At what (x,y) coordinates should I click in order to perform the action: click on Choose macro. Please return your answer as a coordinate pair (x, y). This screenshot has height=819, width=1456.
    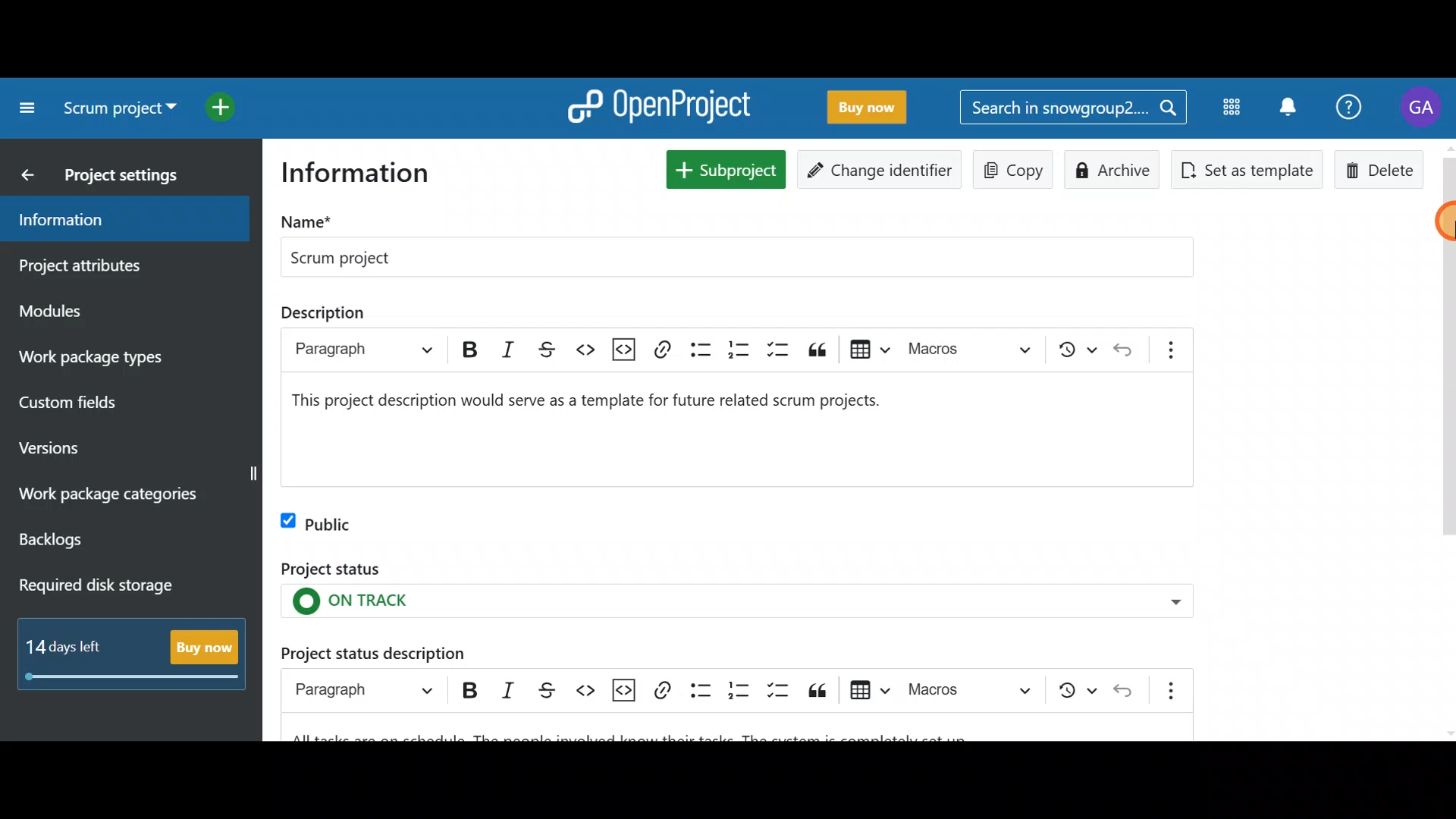
    Looking at the image, I should click on (966, 692).